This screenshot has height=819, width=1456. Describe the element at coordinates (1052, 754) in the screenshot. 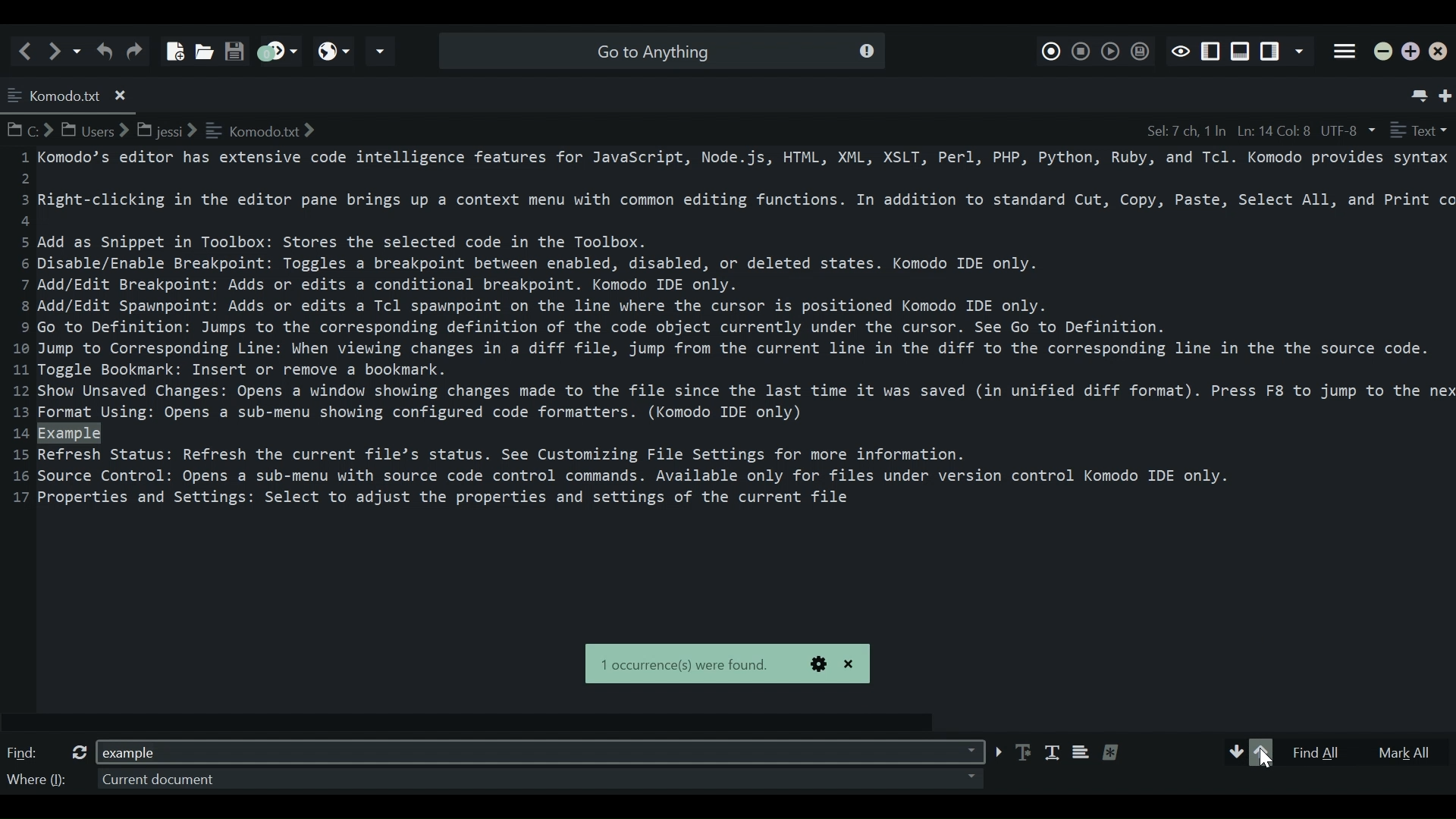

I see `Match Whole words` at that location.